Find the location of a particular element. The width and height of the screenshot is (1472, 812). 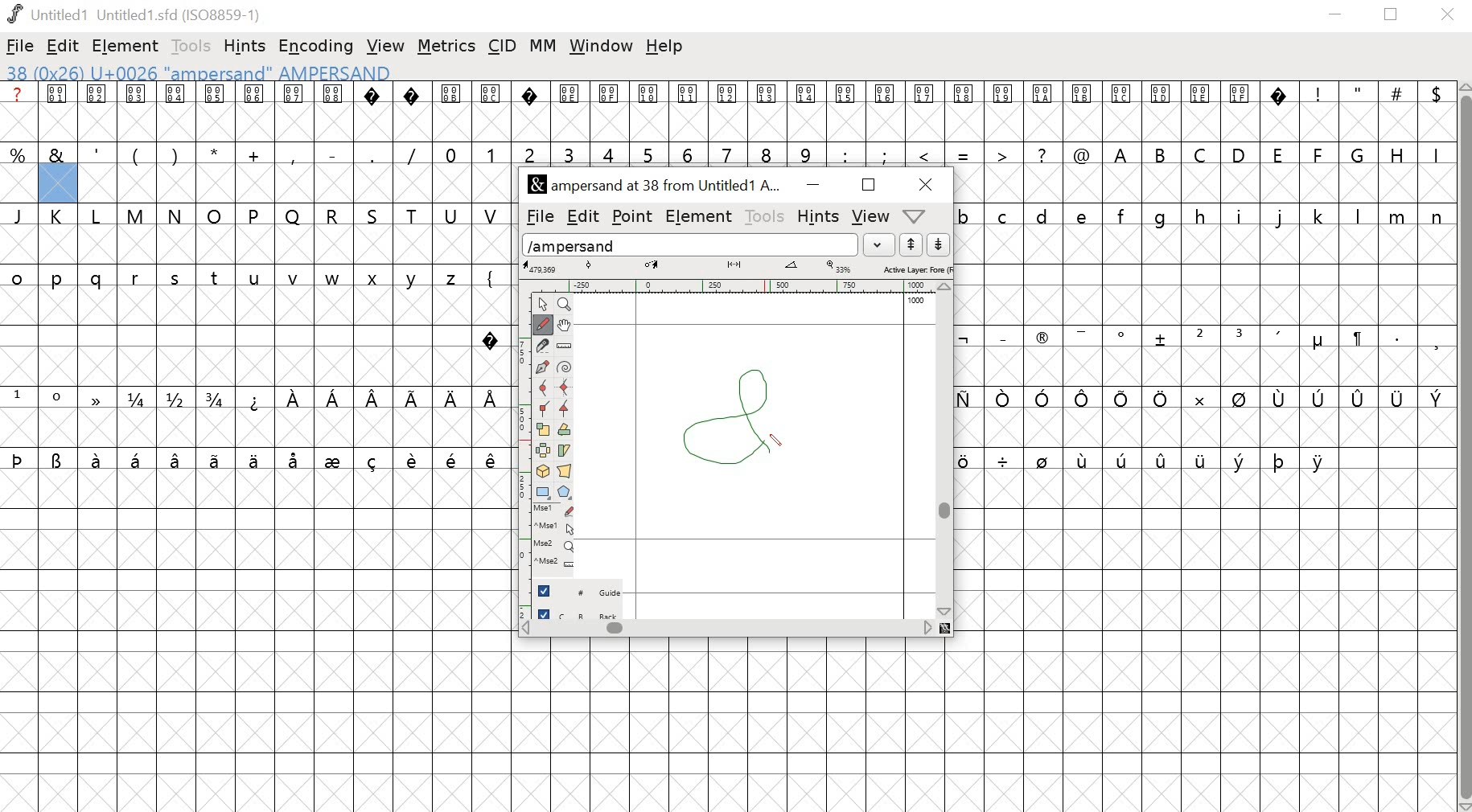

E is located at coordinates (1279, 153).